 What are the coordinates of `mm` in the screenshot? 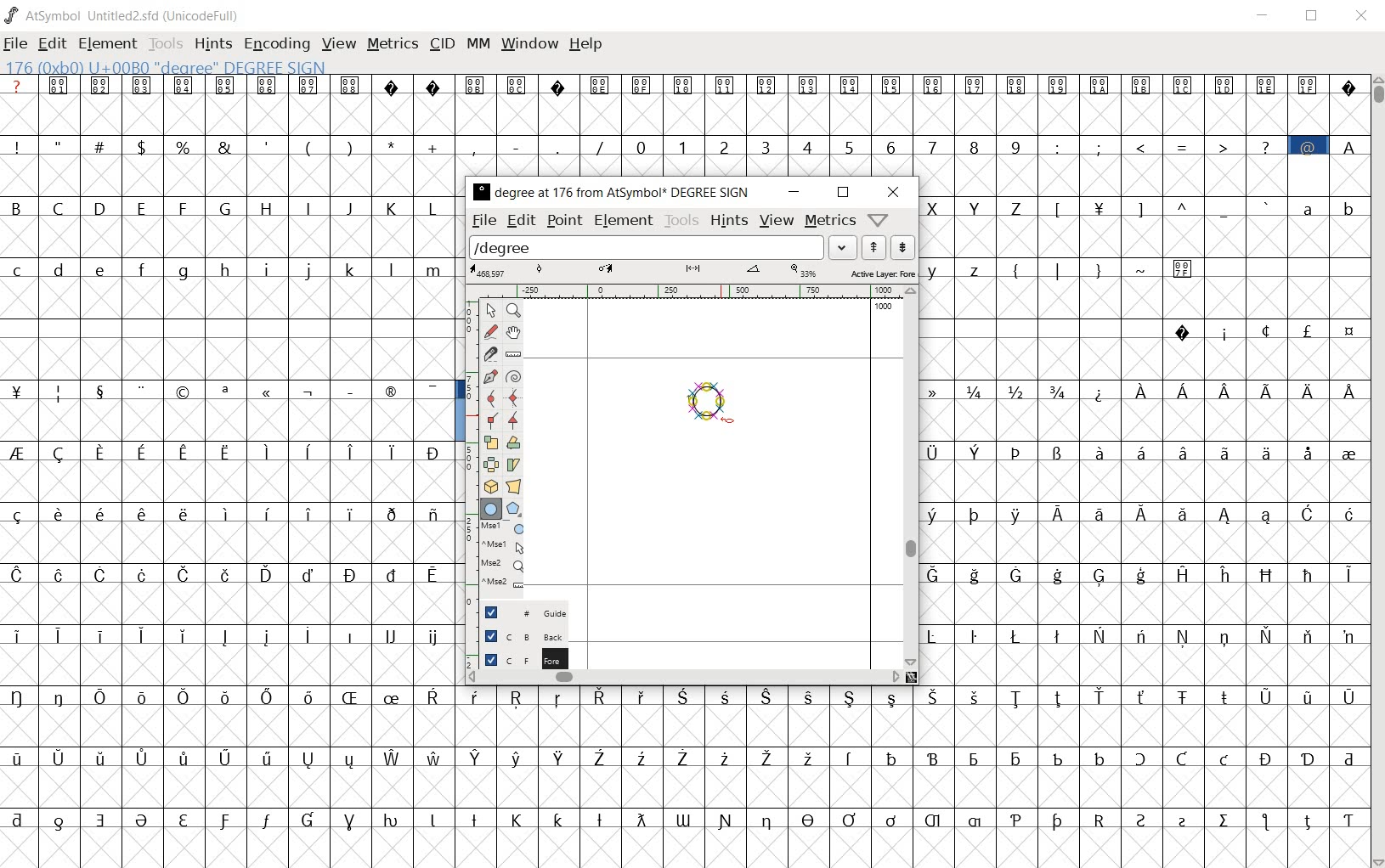 It's located at (478, 44).